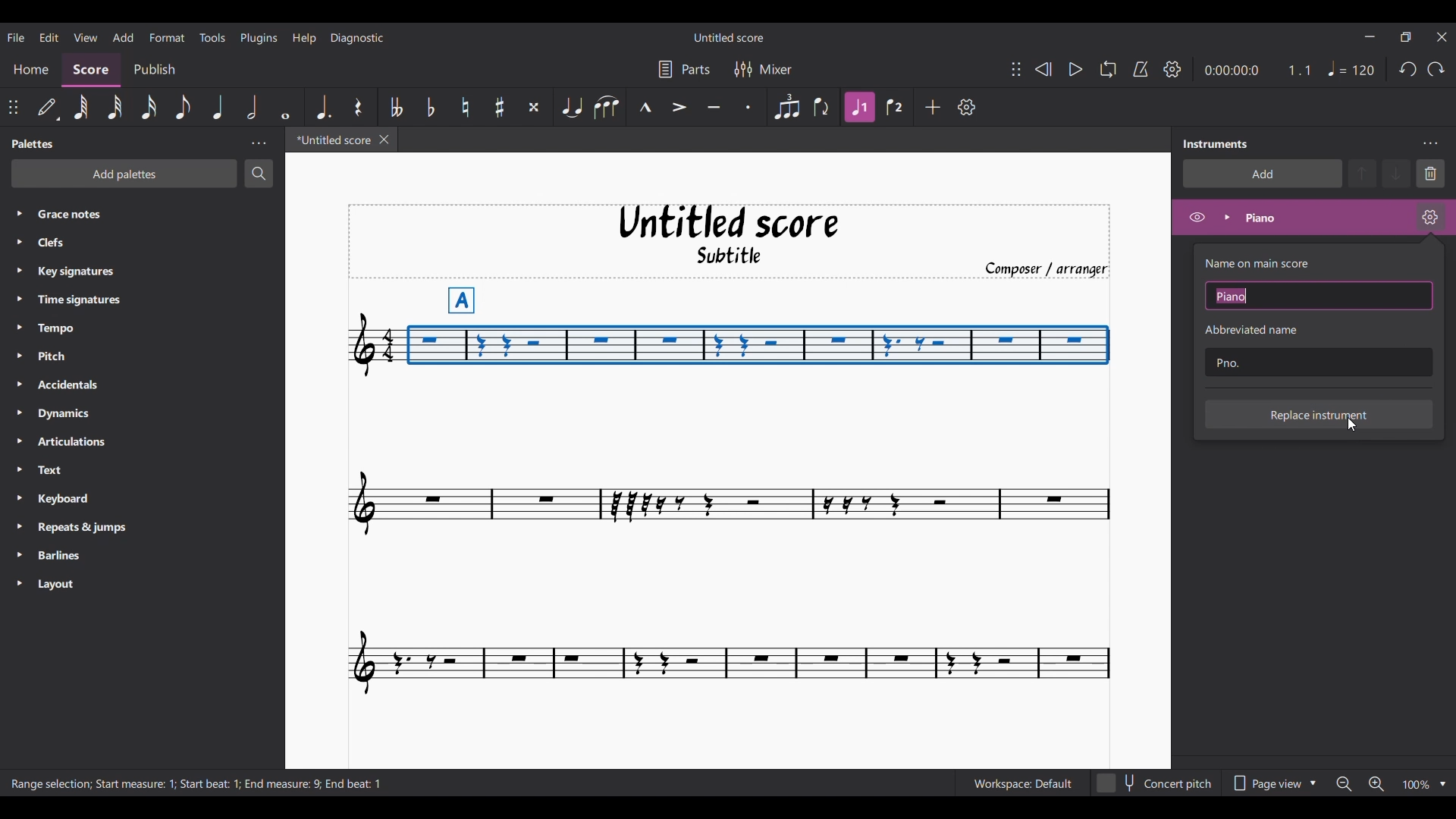  What do you see at coordinates (1257, 70) in the screenshot?
I see `Ratio and duration of current note in score` at bounding box center [1257, 70].